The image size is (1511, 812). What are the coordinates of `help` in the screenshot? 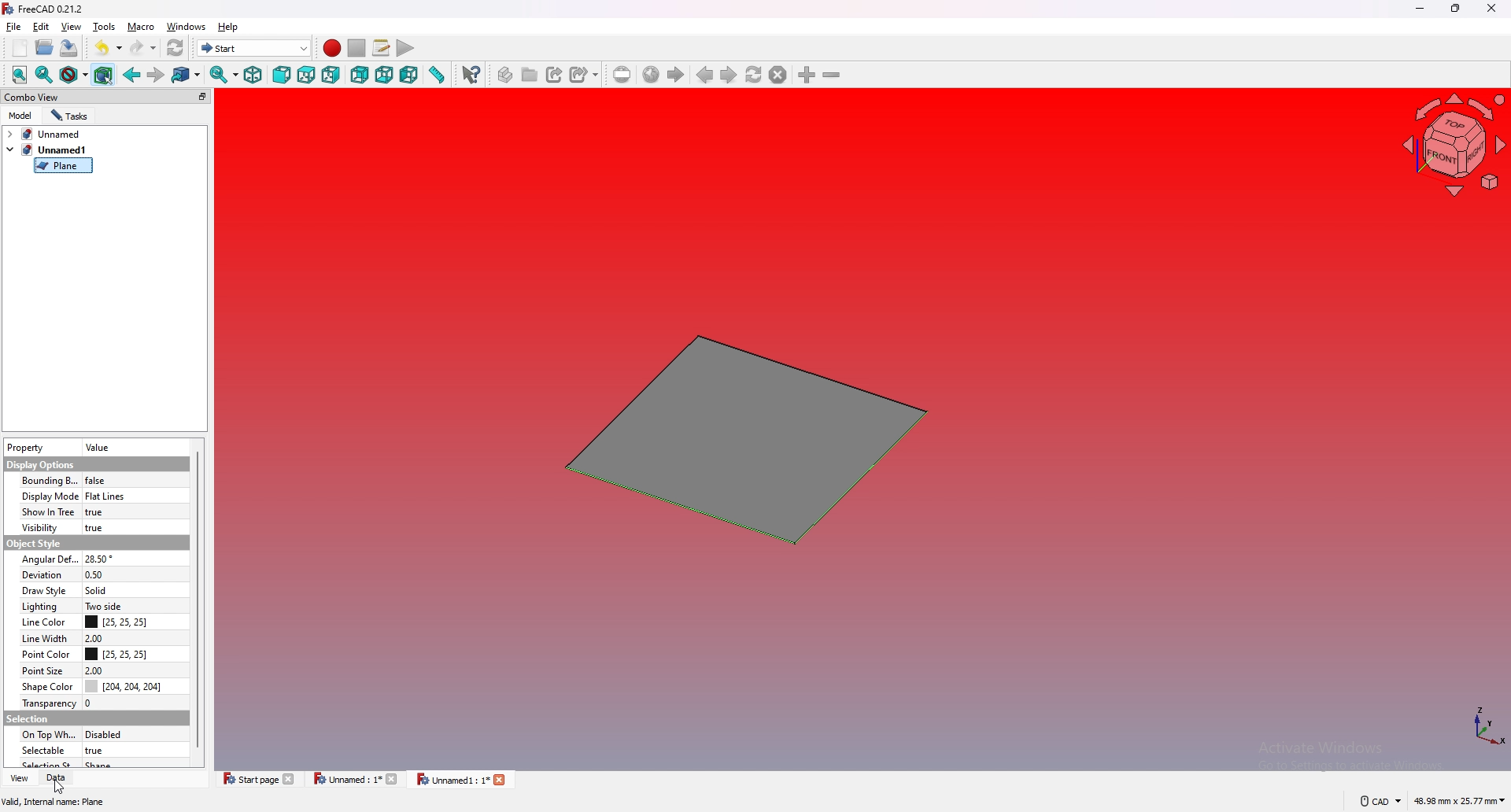 It's located at (229, 27).